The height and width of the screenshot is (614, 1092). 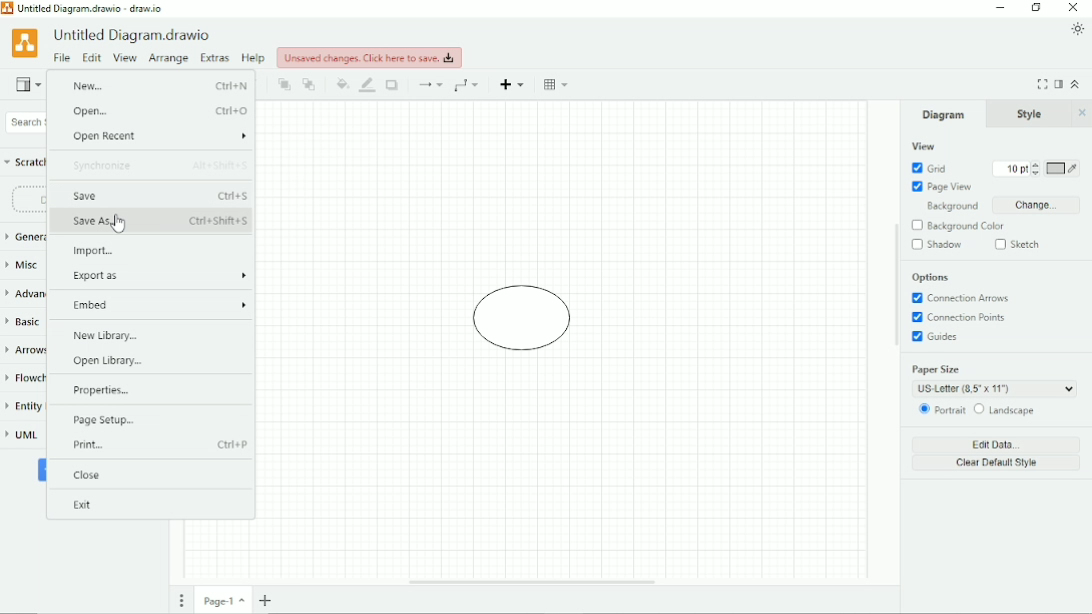 What do you see at coordinates (466, 86) in the screenshot?
I see `Waypoints` at bounding box center [466, 86].